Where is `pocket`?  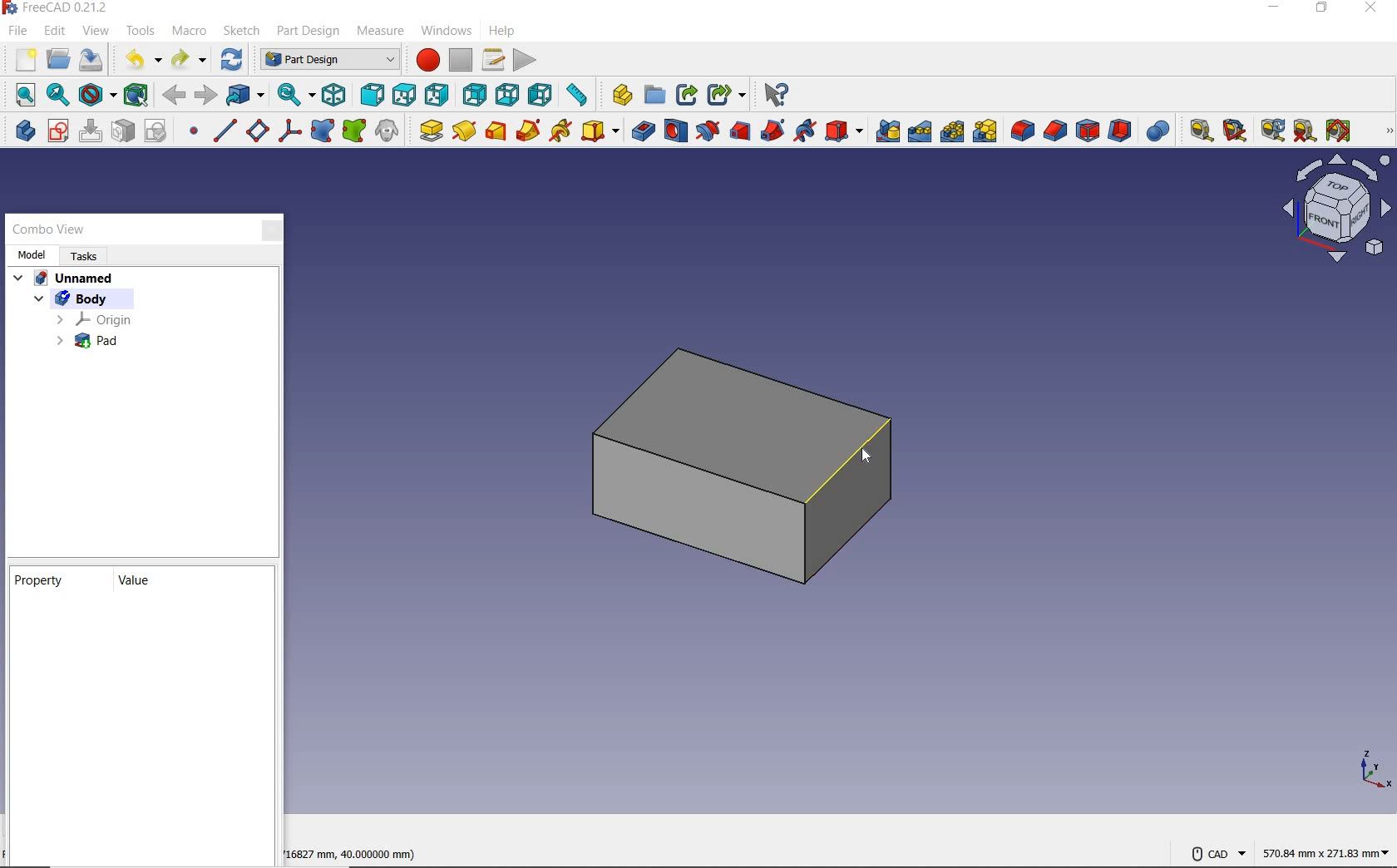 pocket is located at coordinates (640, 131).